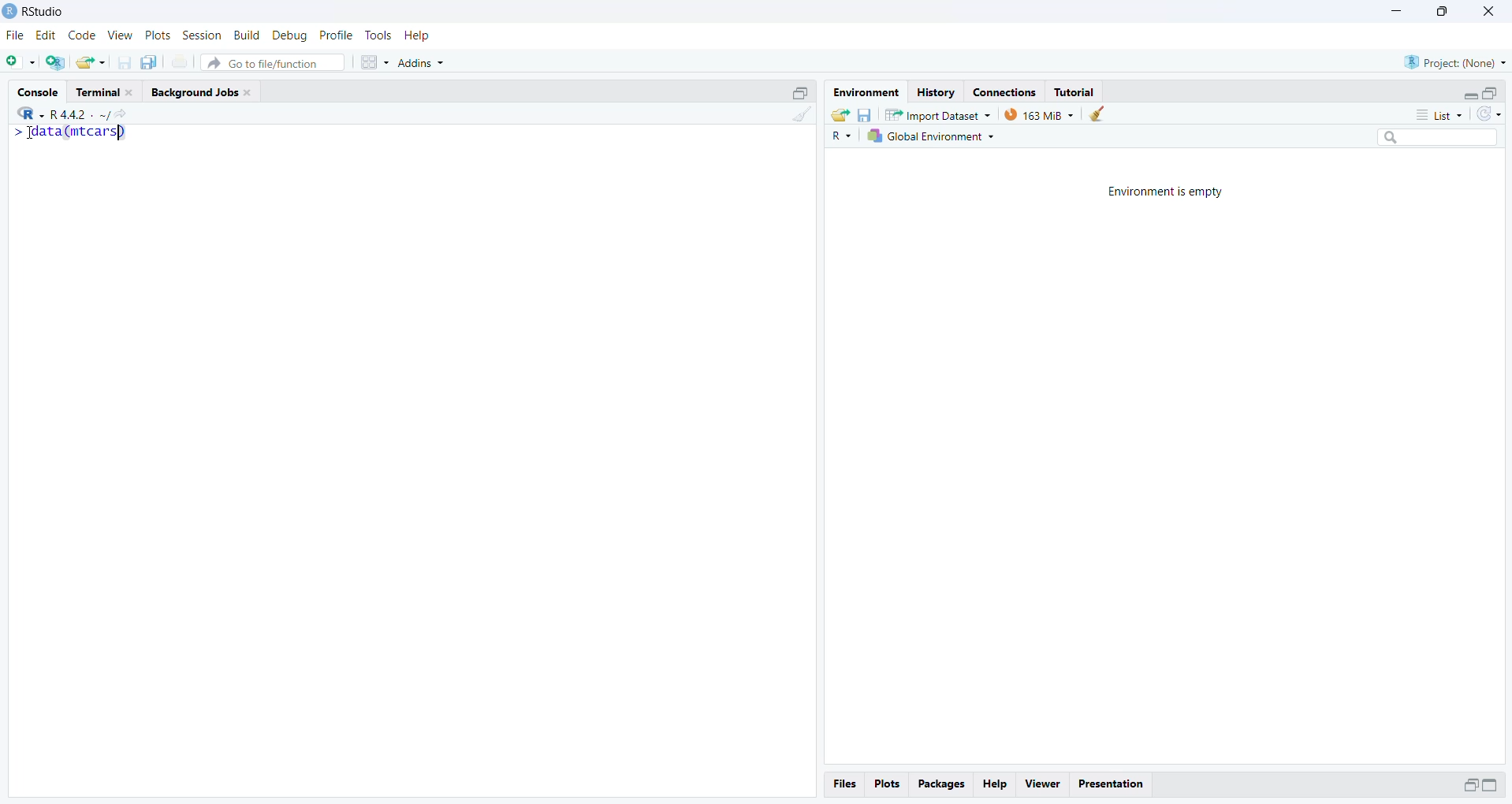 This screenshot has height=804, width=1512. Describe the element at coordinates (1439, 136) in the screenshot. I see `searchbox` at that location.